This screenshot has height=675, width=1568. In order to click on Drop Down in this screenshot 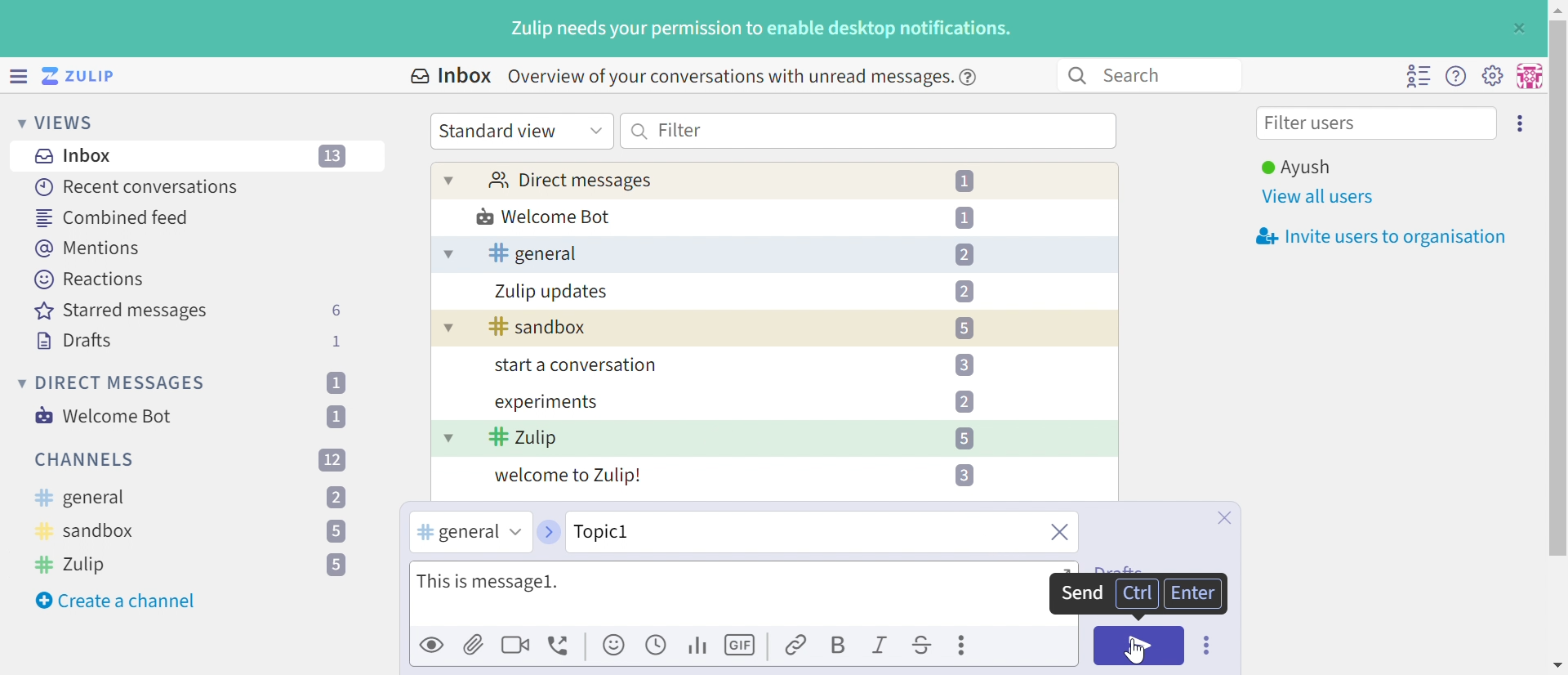, I will do `click(448, 437)`.